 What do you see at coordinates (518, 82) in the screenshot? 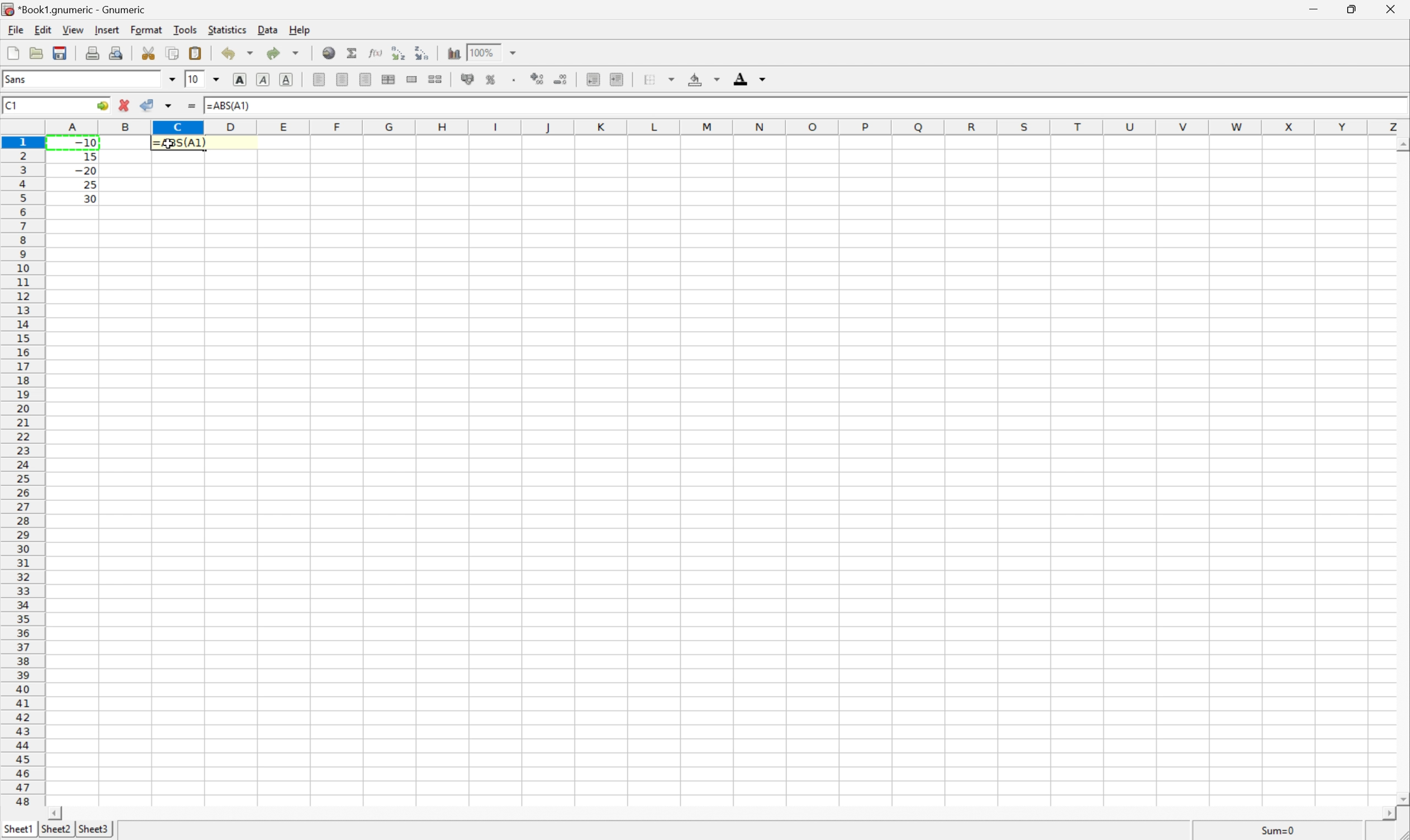
I see `Set the format of the selected cells to include a thousands separator` at bounding box center [518, 82].